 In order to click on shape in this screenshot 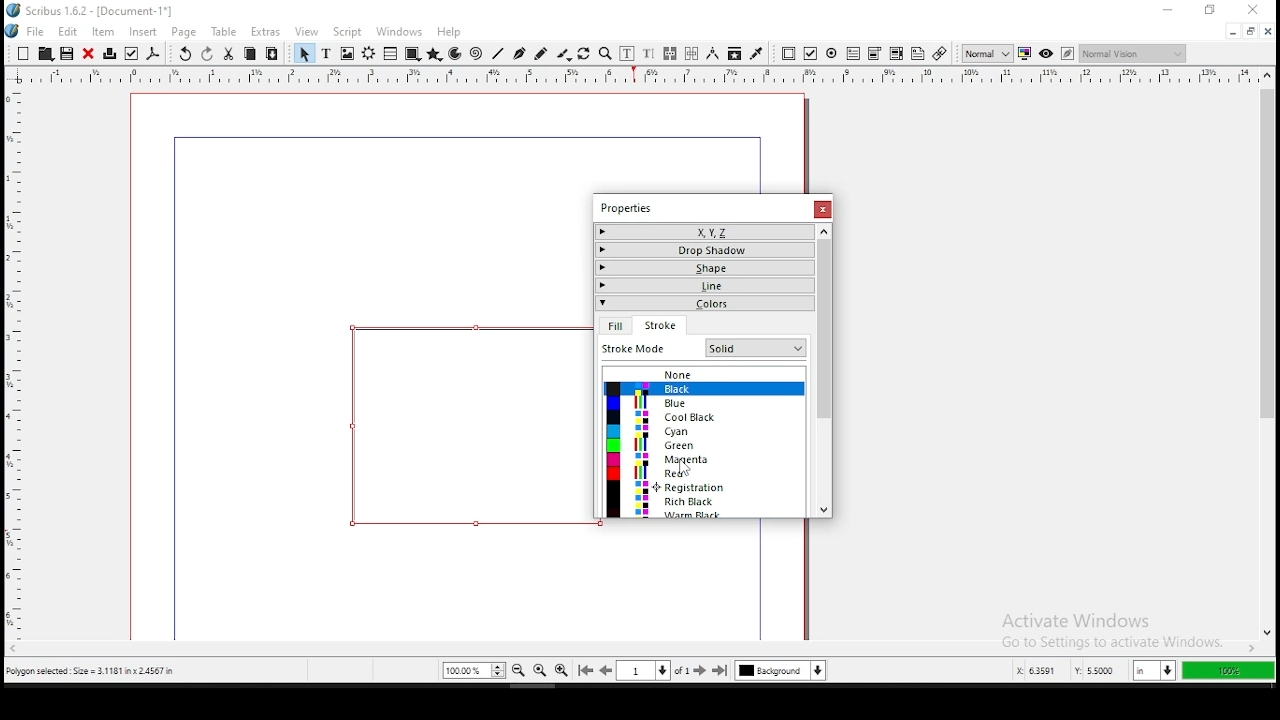, I will do `click(459, 422)`.